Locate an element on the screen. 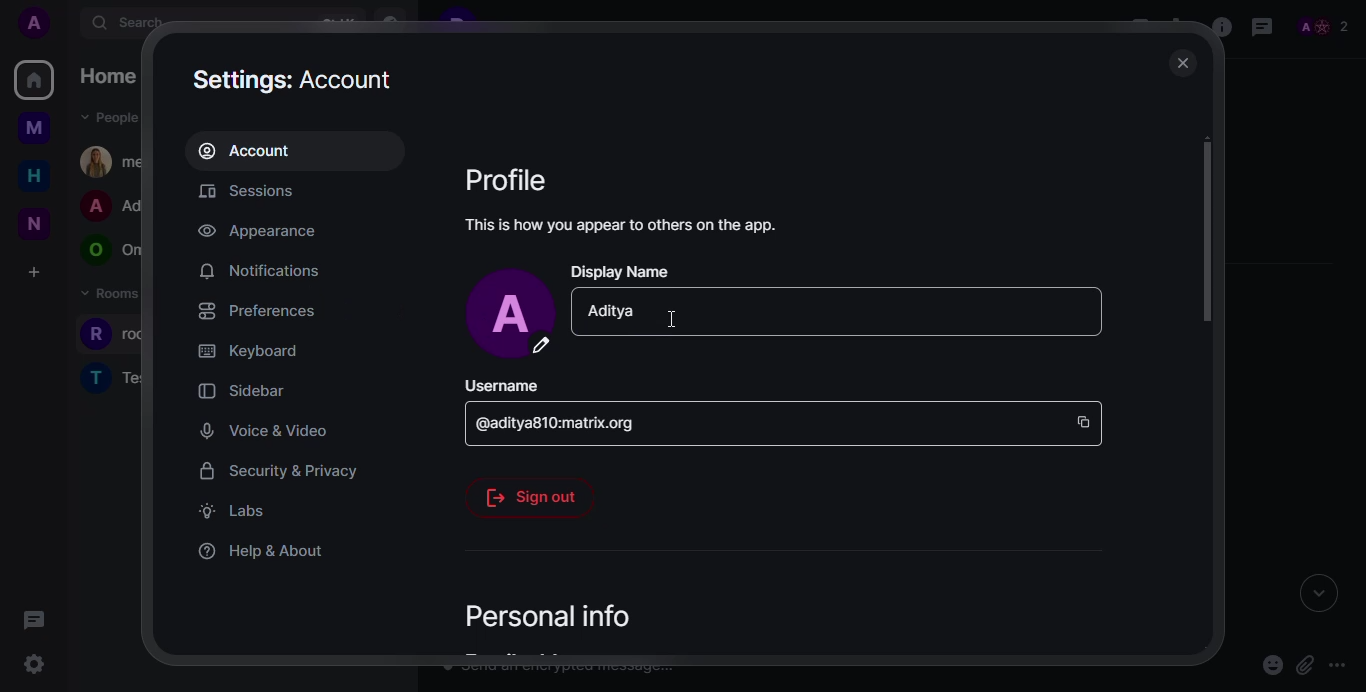 The image size is (1366, 692). settings: Account is located at coordinates (297, 77).